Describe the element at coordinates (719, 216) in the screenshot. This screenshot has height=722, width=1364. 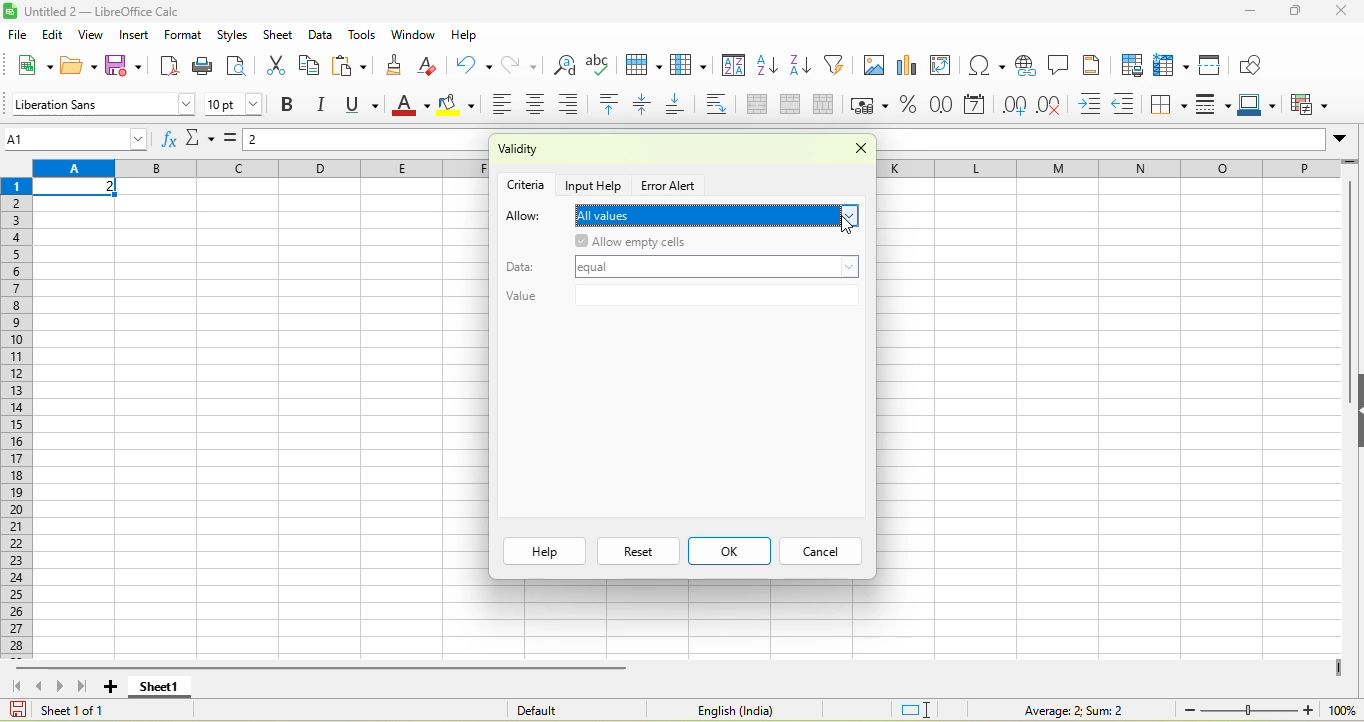
I see `all values` at that location.